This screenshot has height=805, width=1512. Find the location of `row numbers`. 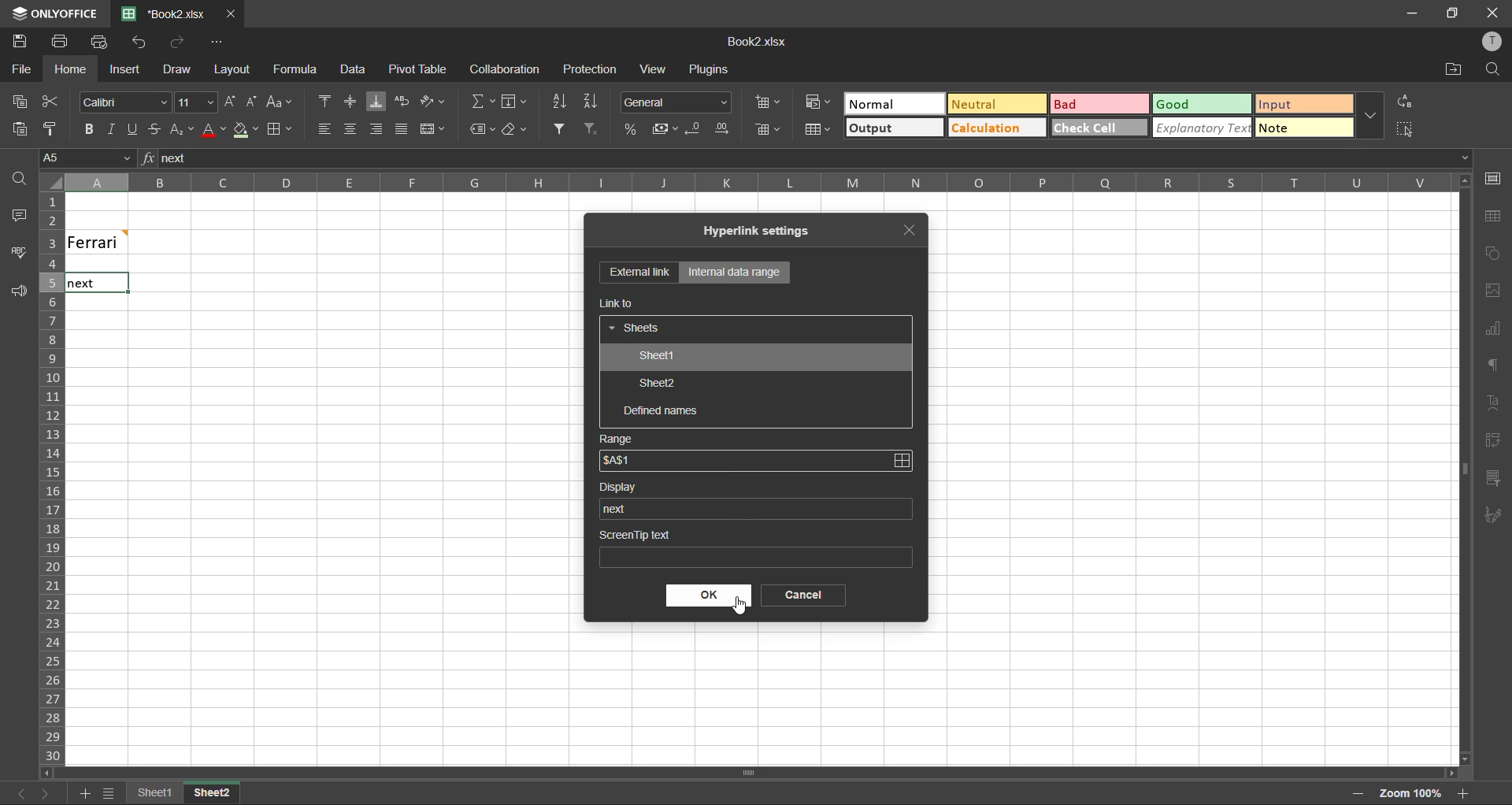

row numbers is located at coordinates (50, 479).